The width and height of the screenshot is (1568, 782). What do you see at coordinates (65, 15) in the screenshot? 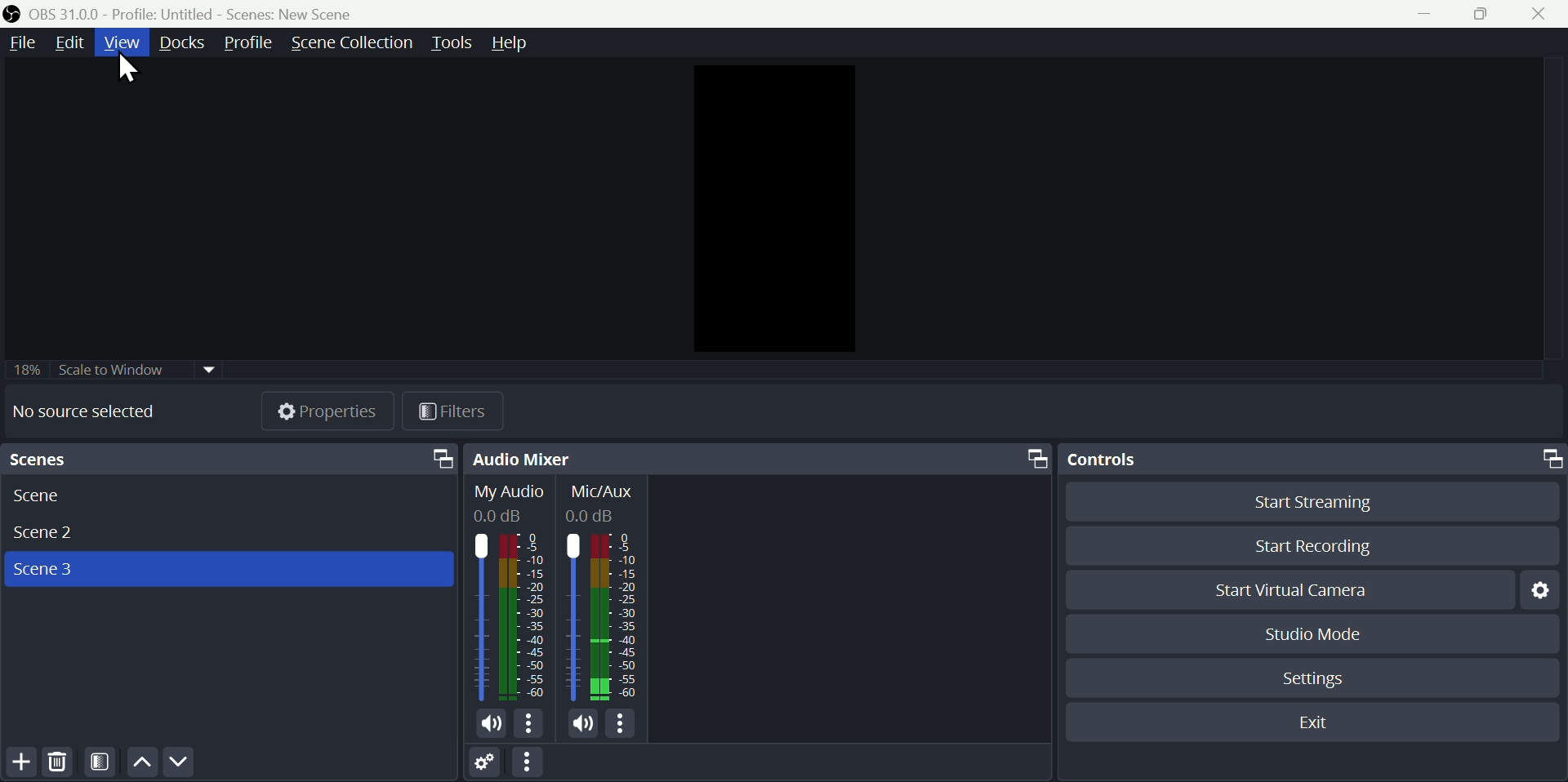
I see `OBS Version` at bounding box center [65, 15].